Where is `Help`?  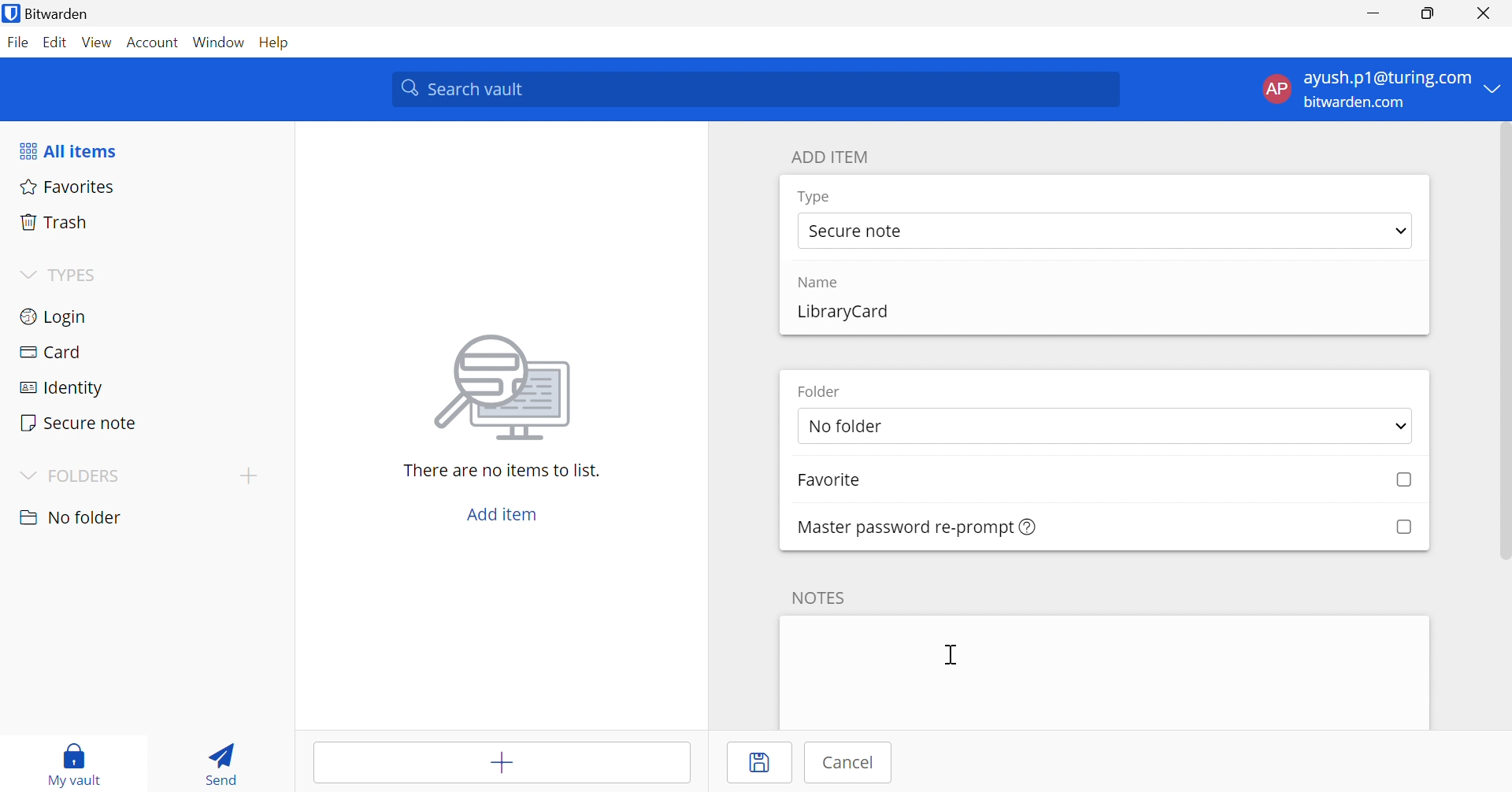 Help is located at coordinates (281, 43).